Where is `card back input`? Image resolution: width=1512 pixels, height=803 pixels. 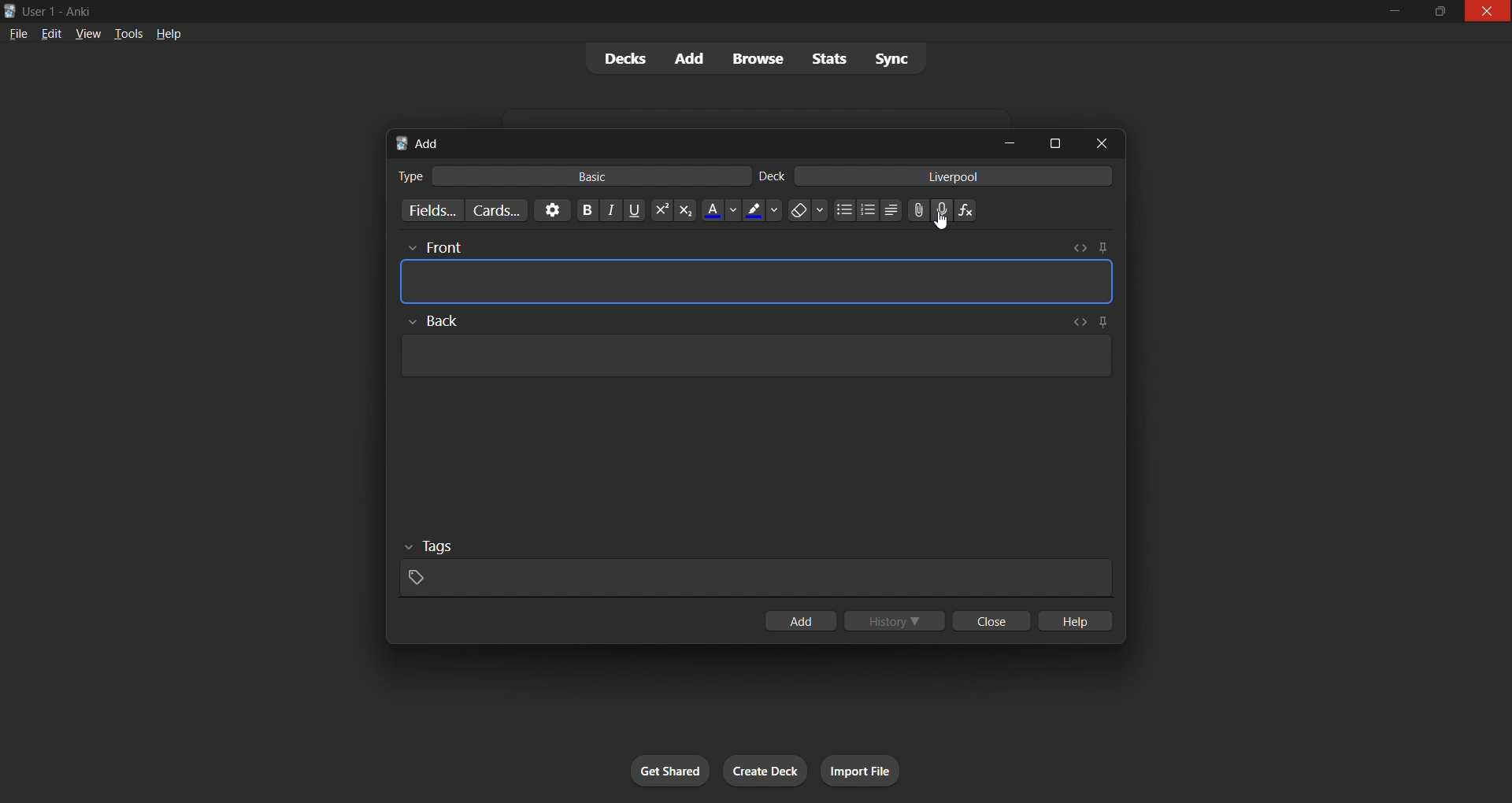 card back input is located at coordinates (756, 353).